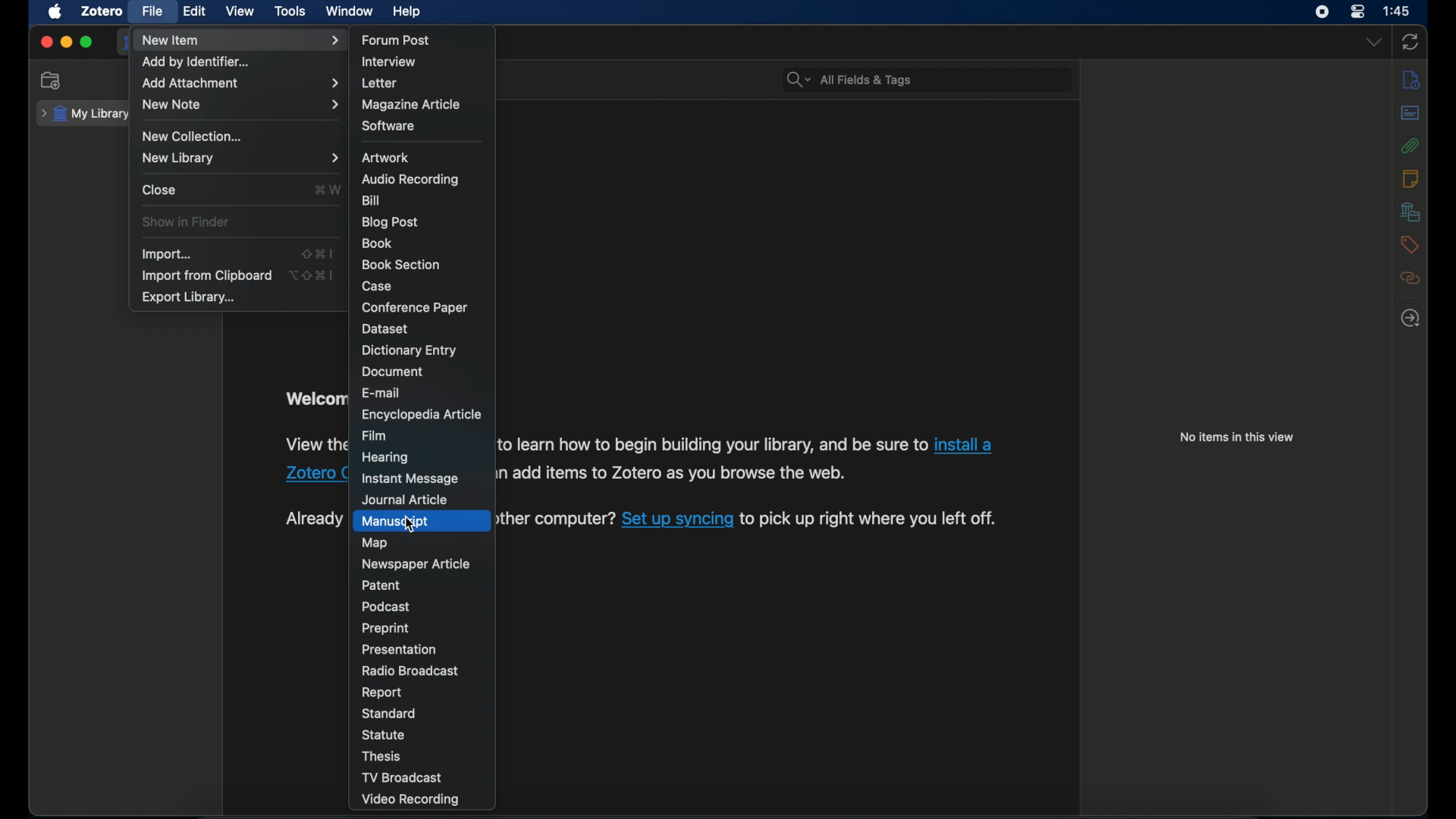  Describe the element at coordinates (396, 39) in the screenshot. I see `forum post` at that location.